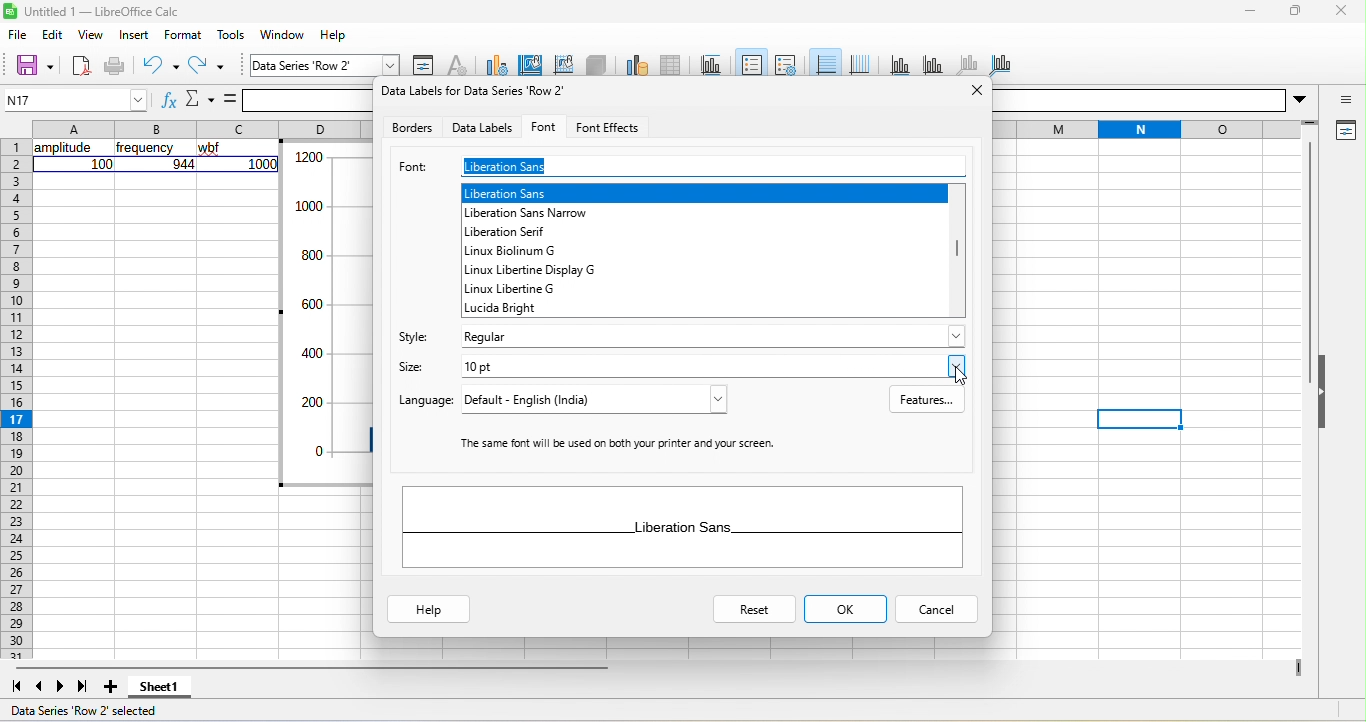 The width and height of the screenshot is (1366, 722). Describe the element at coordinates (160, 691) in the screenshot. I see `sheet 1` at that location.